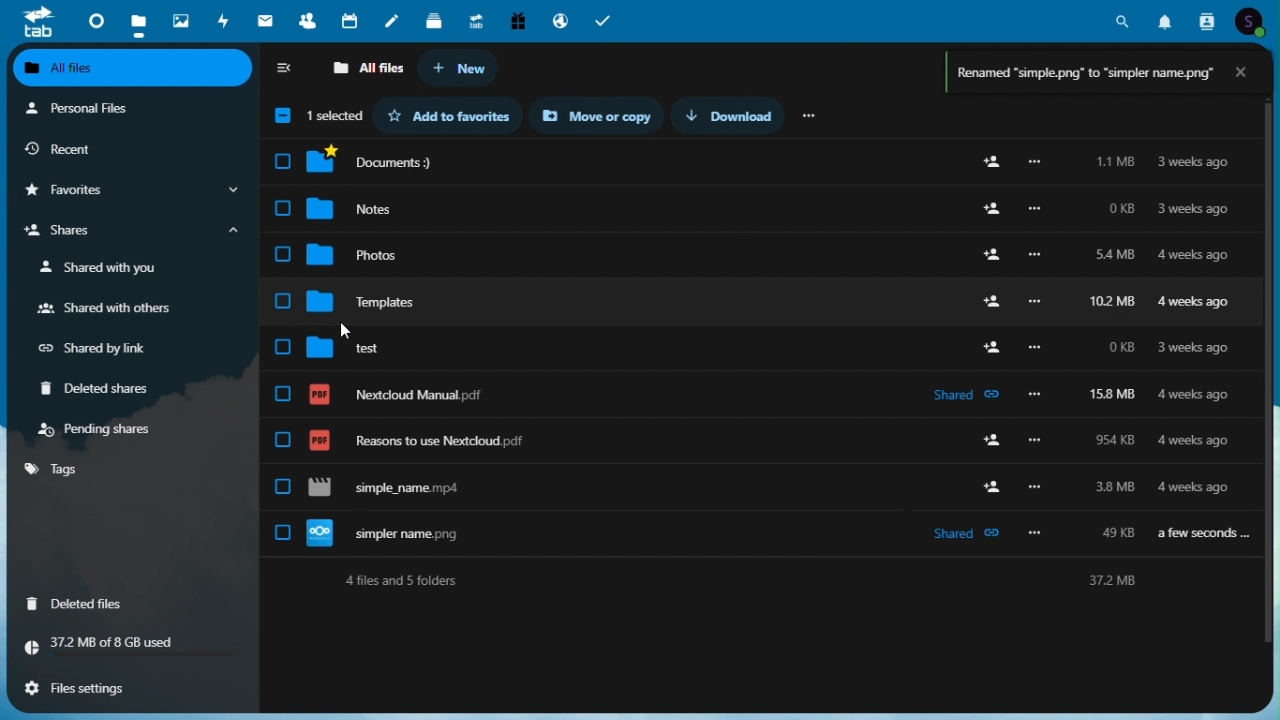 This screenshot has width=1280, height=720. I want to click on Add to favourites, so click(456, 115).